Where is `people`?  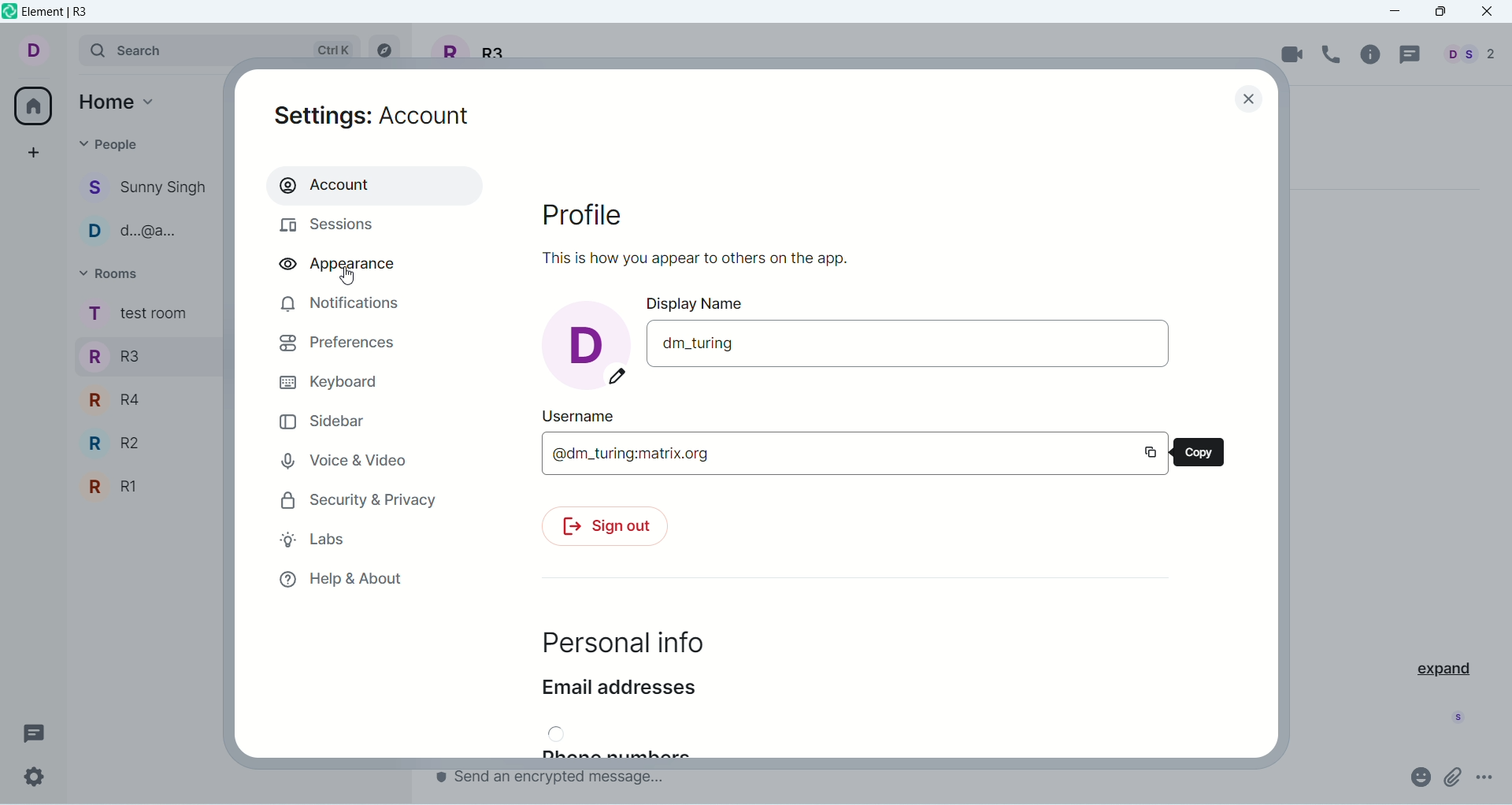 people is located at coordinates (147, 190).